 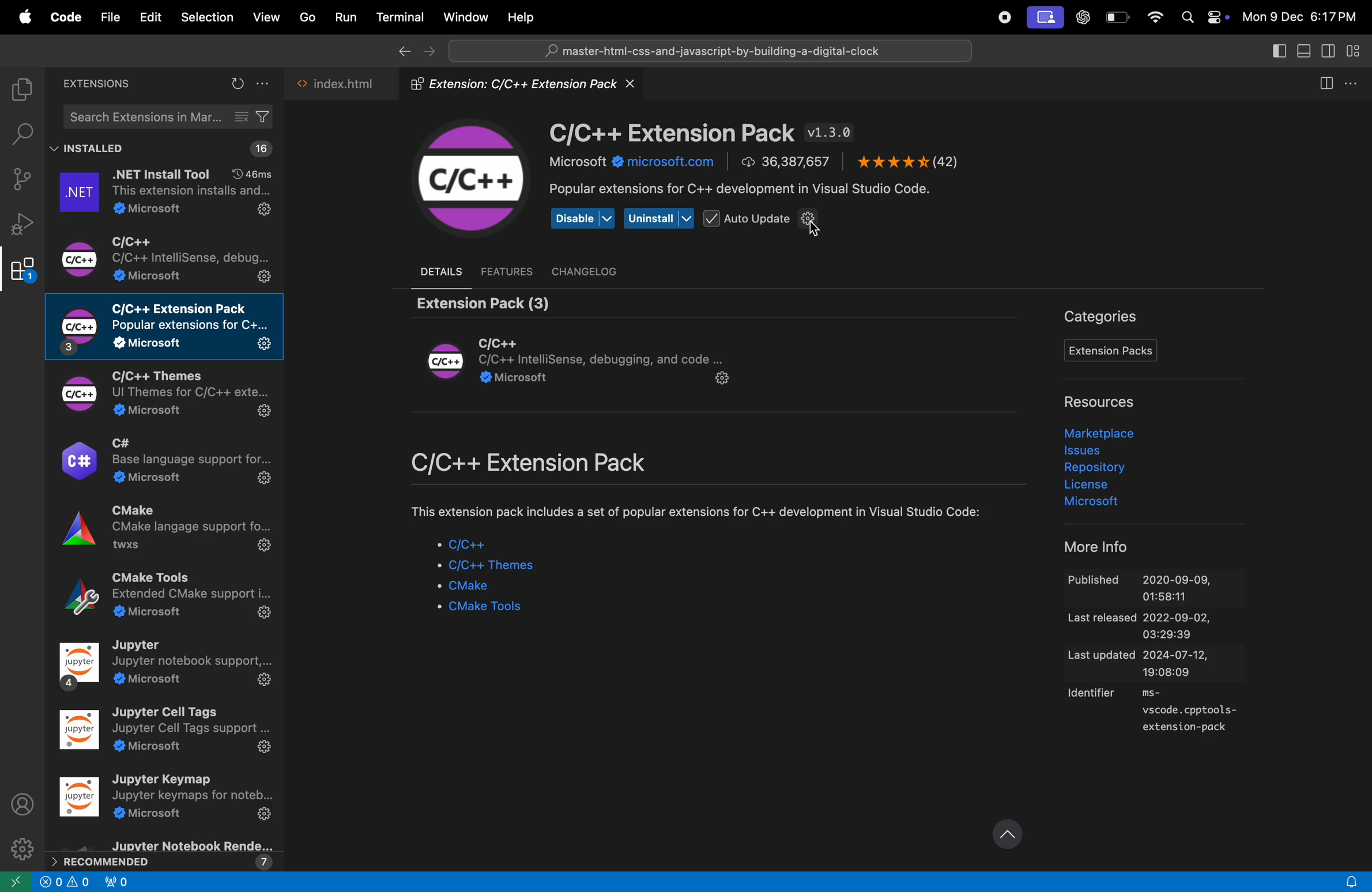 What do you see at coordinates (97, 85) in the screenshot?
I see `extensions` at bounding box center [97, 85].